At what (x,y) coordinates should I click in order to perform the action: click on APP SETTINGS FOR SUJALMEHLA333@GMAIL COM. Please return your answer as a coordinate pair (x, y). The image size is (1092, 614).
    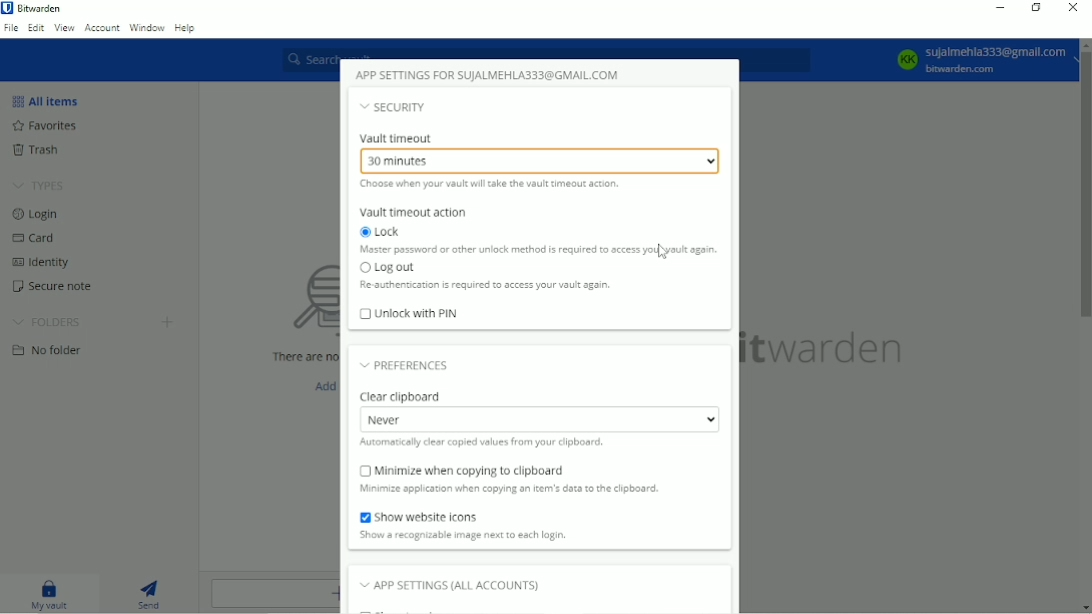
    Looking at the image, I should click on (490, 74).